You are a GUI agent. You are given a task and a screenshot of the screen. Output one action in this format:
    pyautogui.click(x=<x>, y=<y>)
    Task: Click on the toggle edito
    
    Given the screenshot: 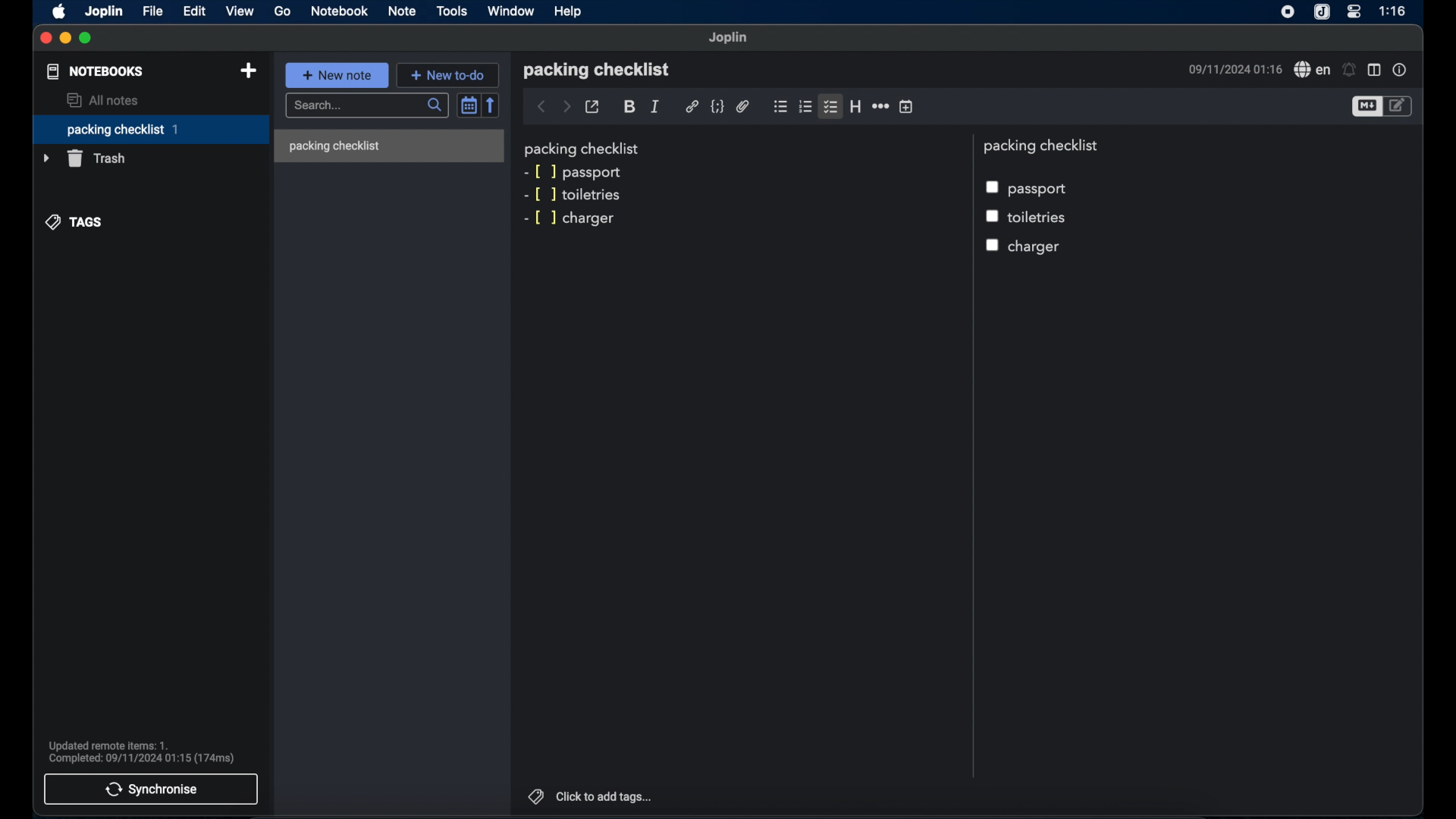 What is the action you would take?
    pyautogui.click(x=1399, y=107)
    